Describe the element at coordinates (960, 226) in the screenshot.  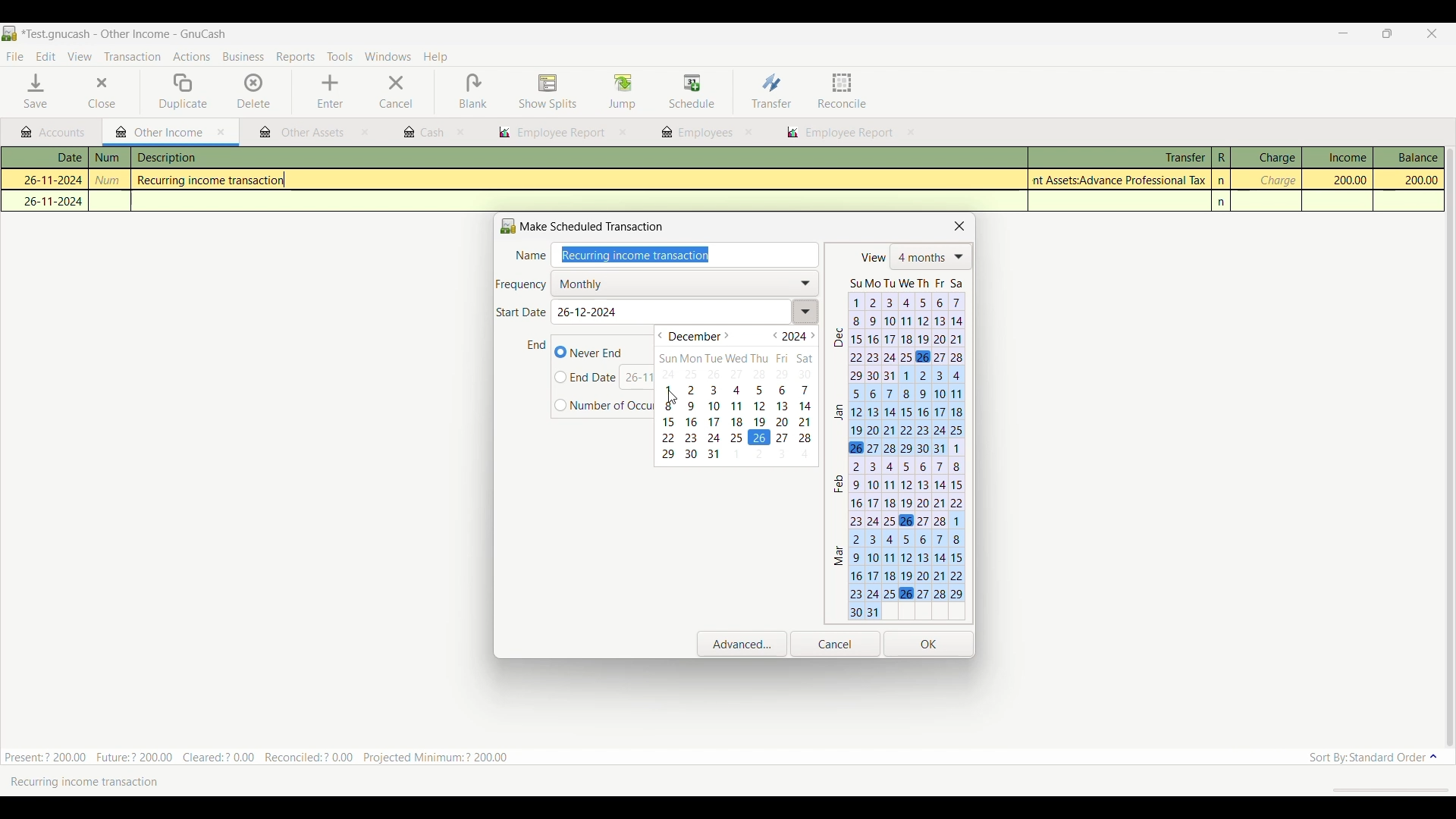
I see `Close scheduled ` at that location.